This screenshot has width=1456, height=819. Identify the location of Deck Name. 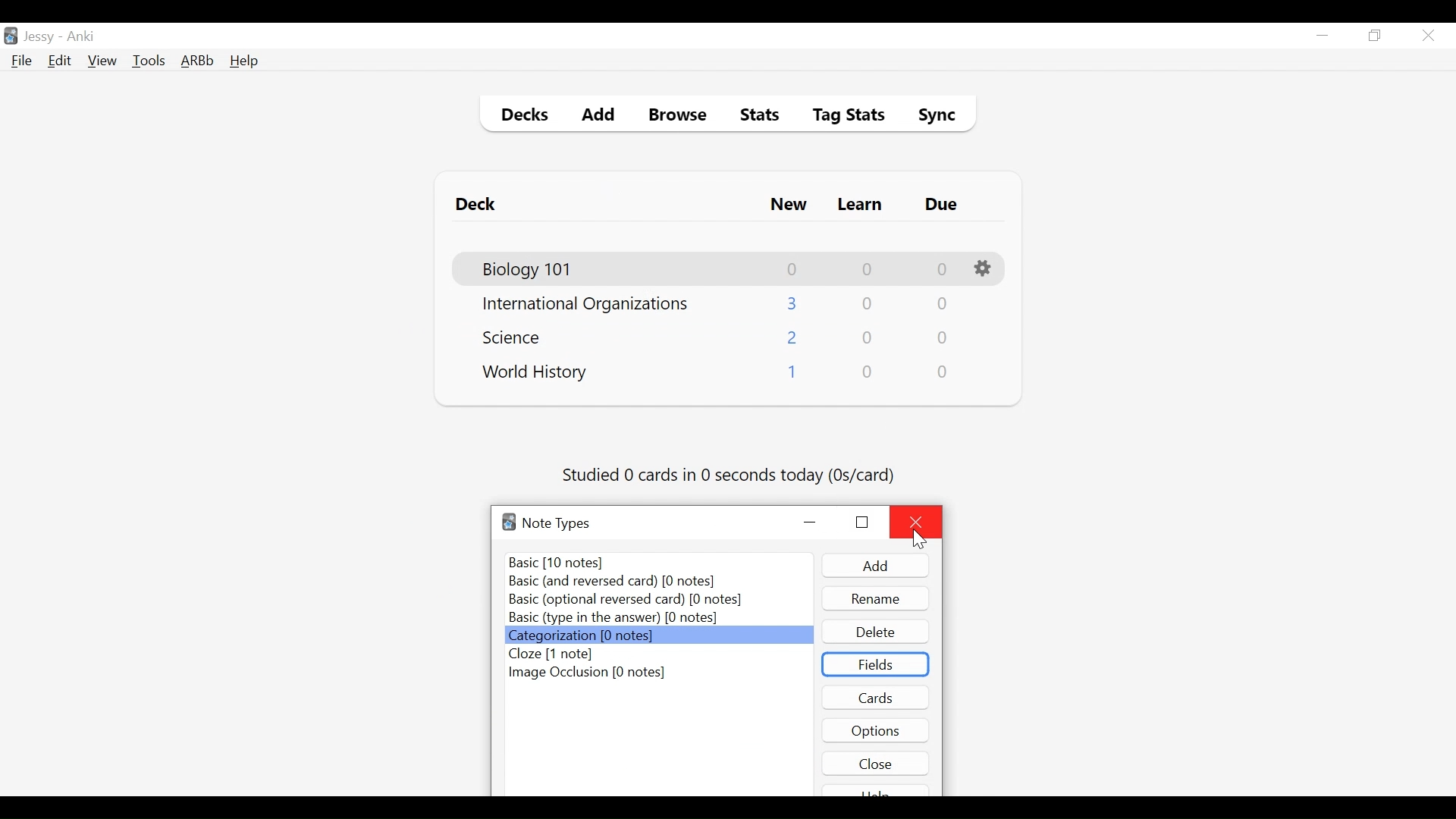
(516, 337).